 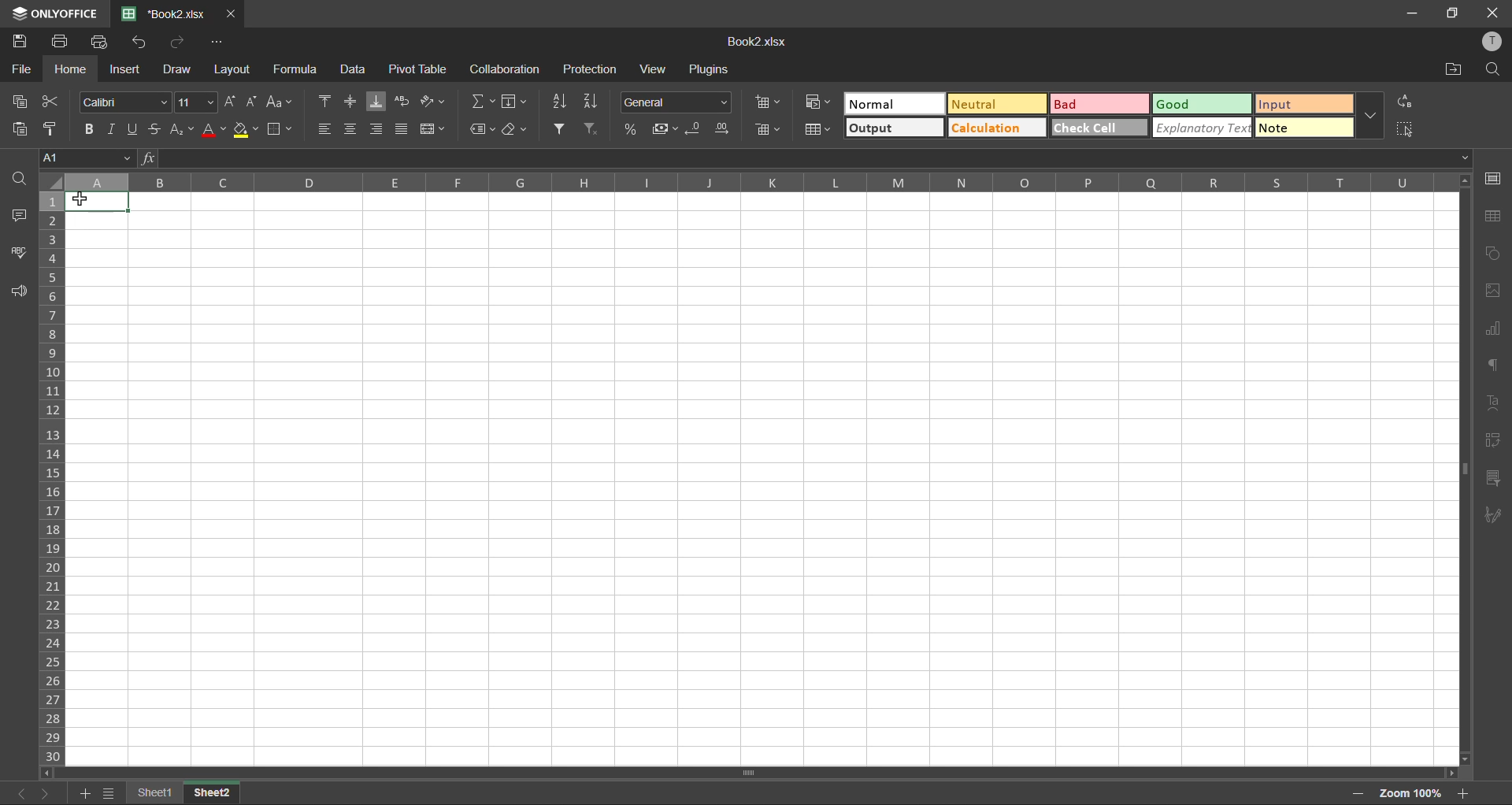 What do you see at coordinates (128, 101) in the screenshot?
I see `font style` at bounding box center [128, 101].